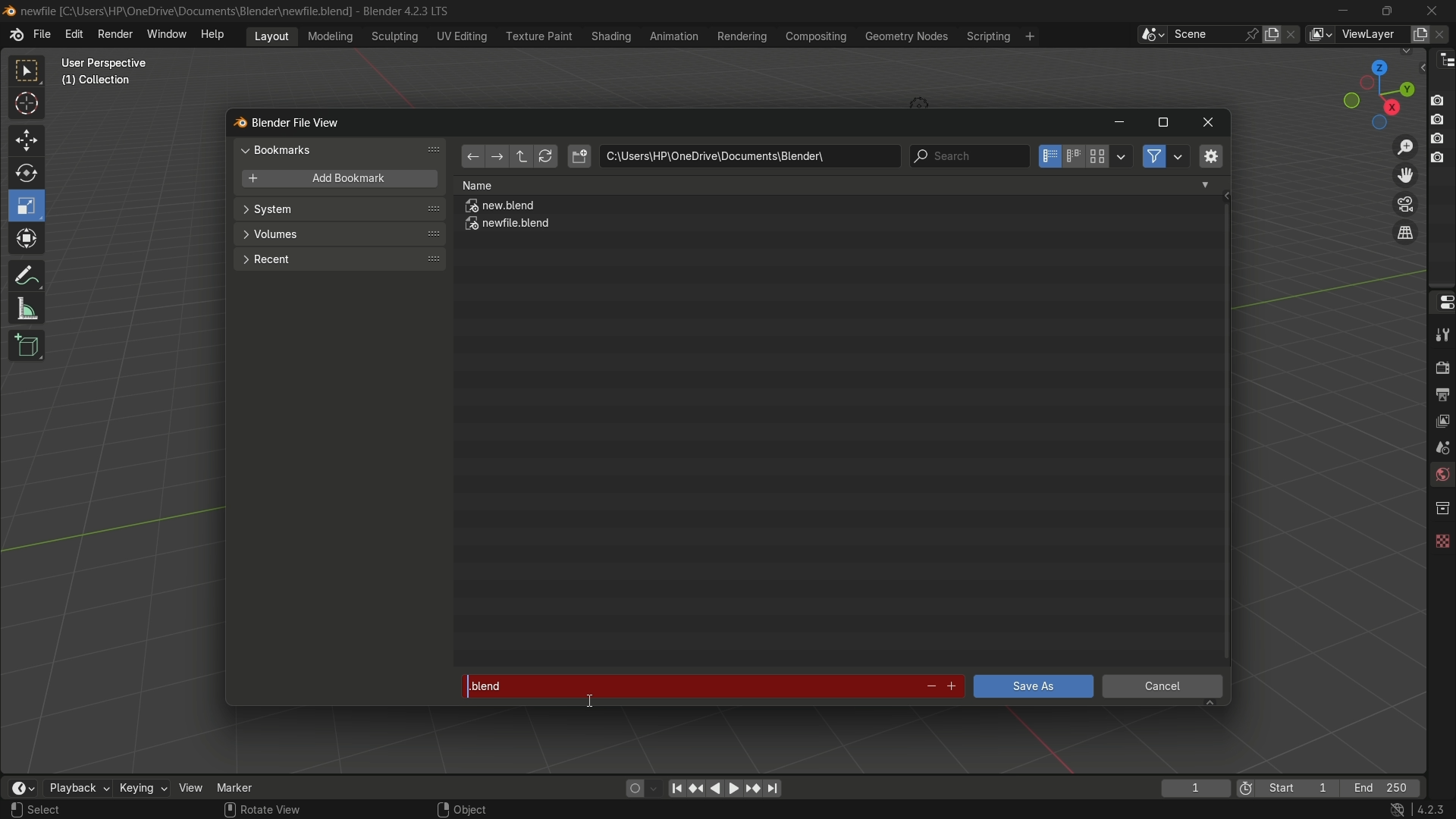  Describe the element at coordinates (1406, 145) in the screenshot. I see `zoom in/out` at that location.